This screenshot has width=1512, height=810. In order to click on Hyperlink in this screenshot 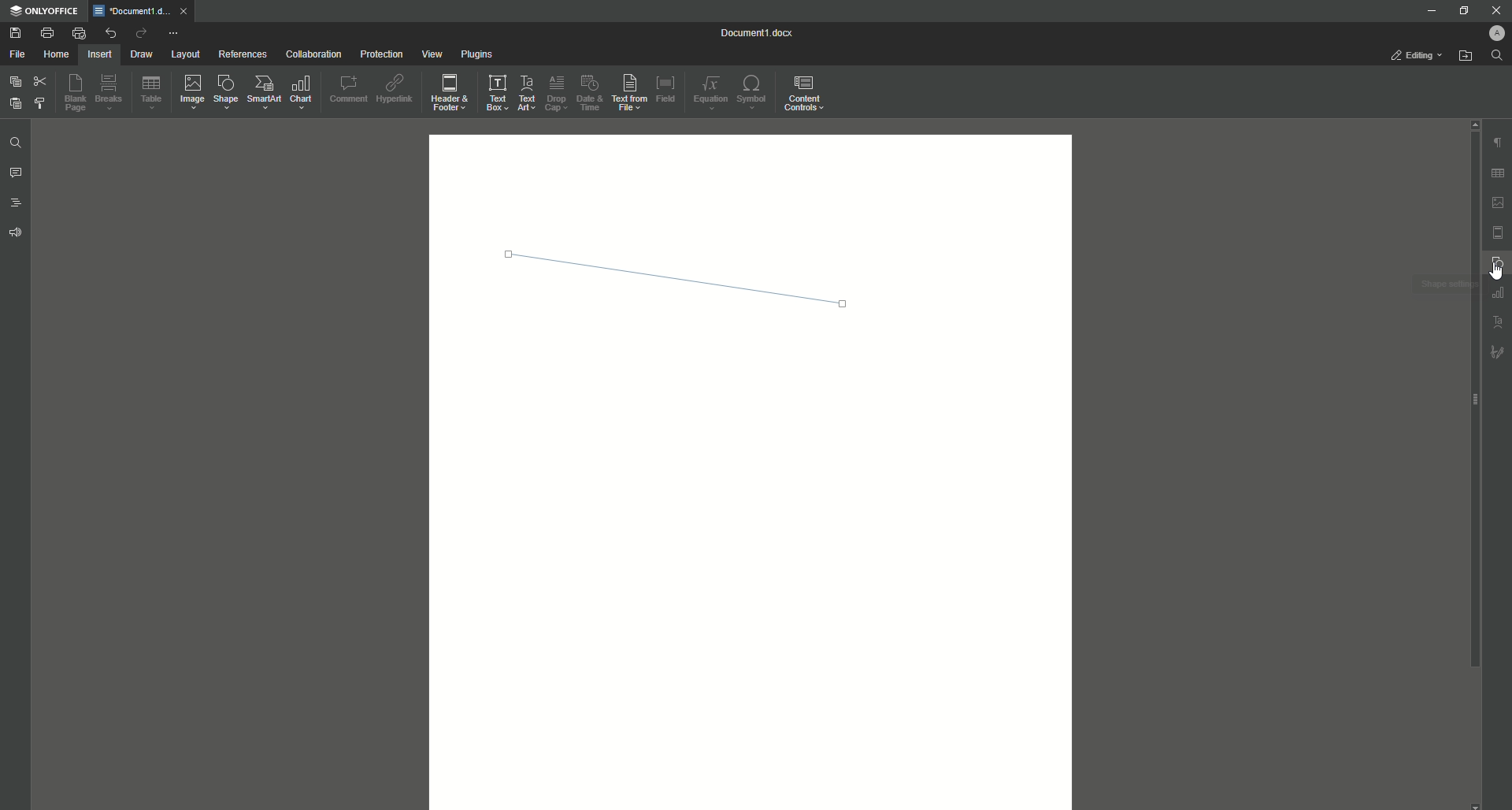, I will do `click(396, 90)`.